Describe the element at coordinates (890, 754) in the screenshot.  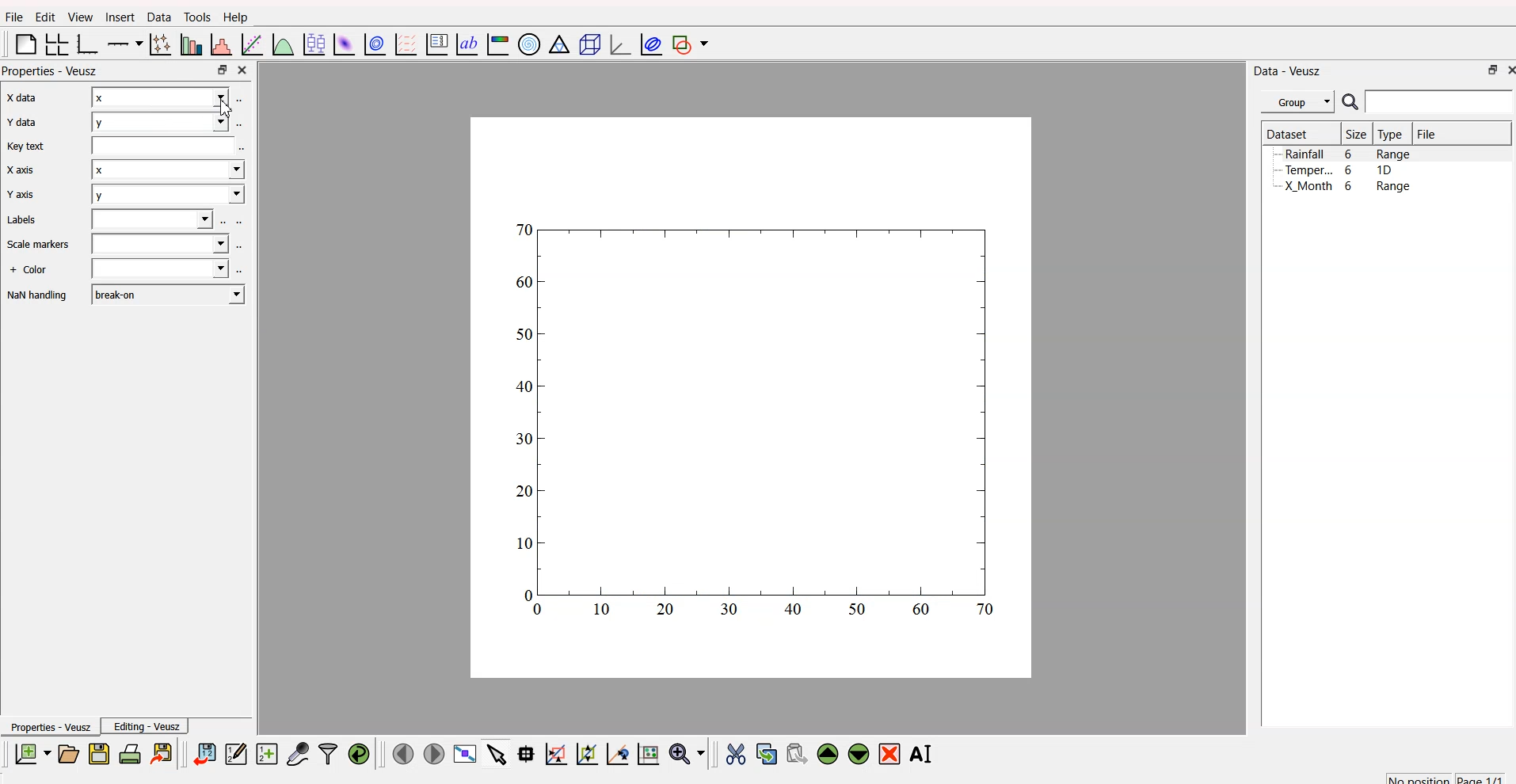
I see `remove the selected widget` at that location.